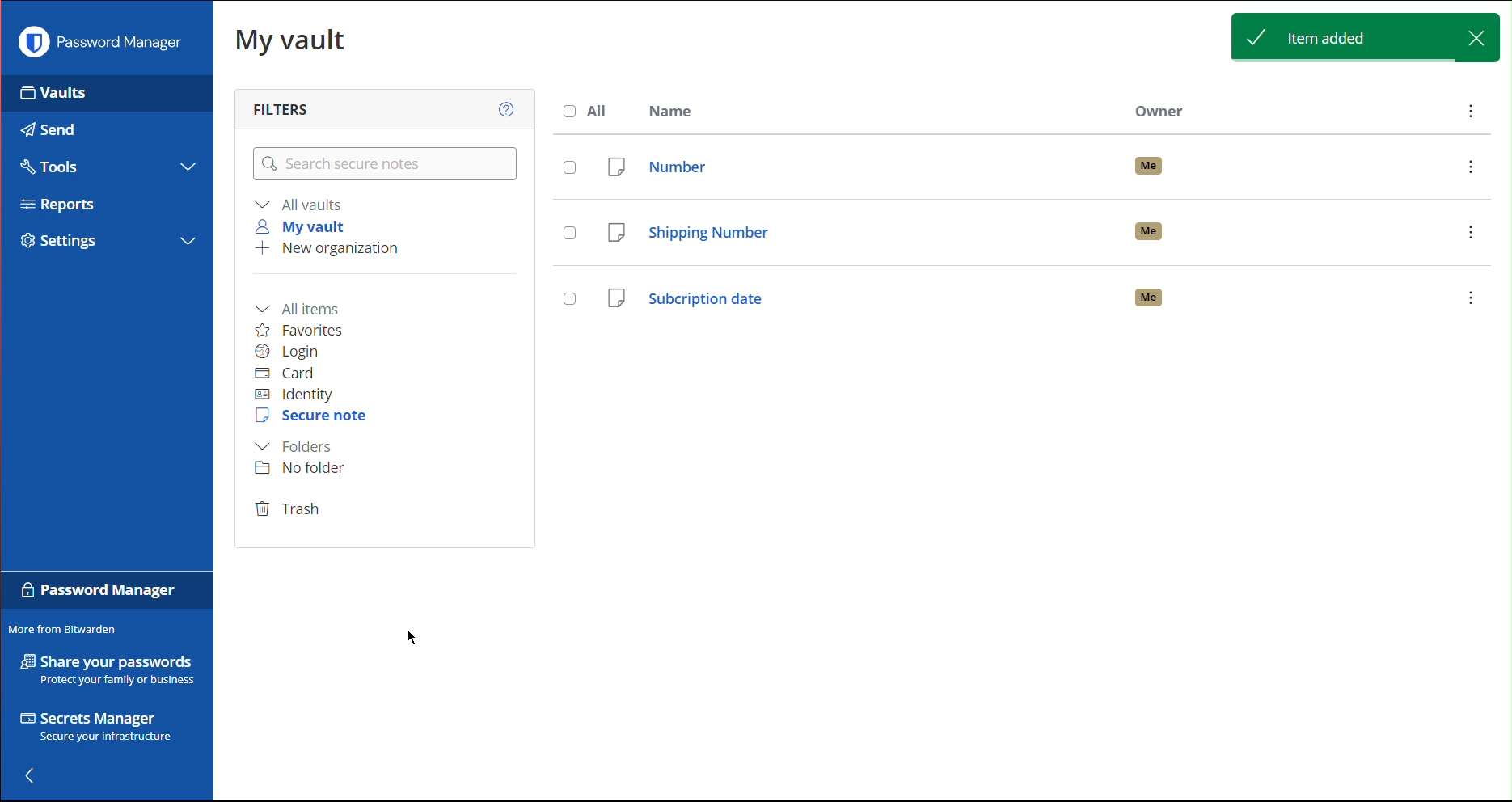 Image resolution: width=1512 pixels, height=802 pixels. I want to click on Vaults, so click(53, 98).